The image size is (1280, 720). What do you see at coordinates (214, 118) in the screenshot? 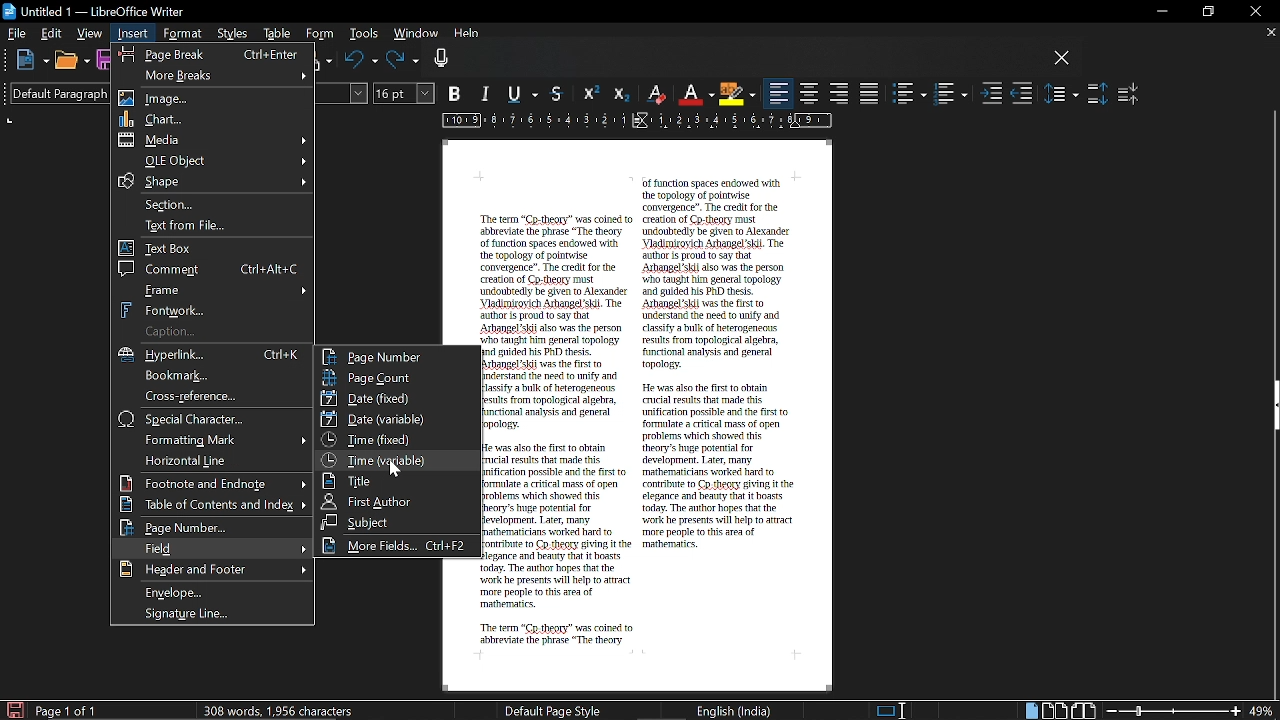
I see `Chart` at bounding box center [214, 118].